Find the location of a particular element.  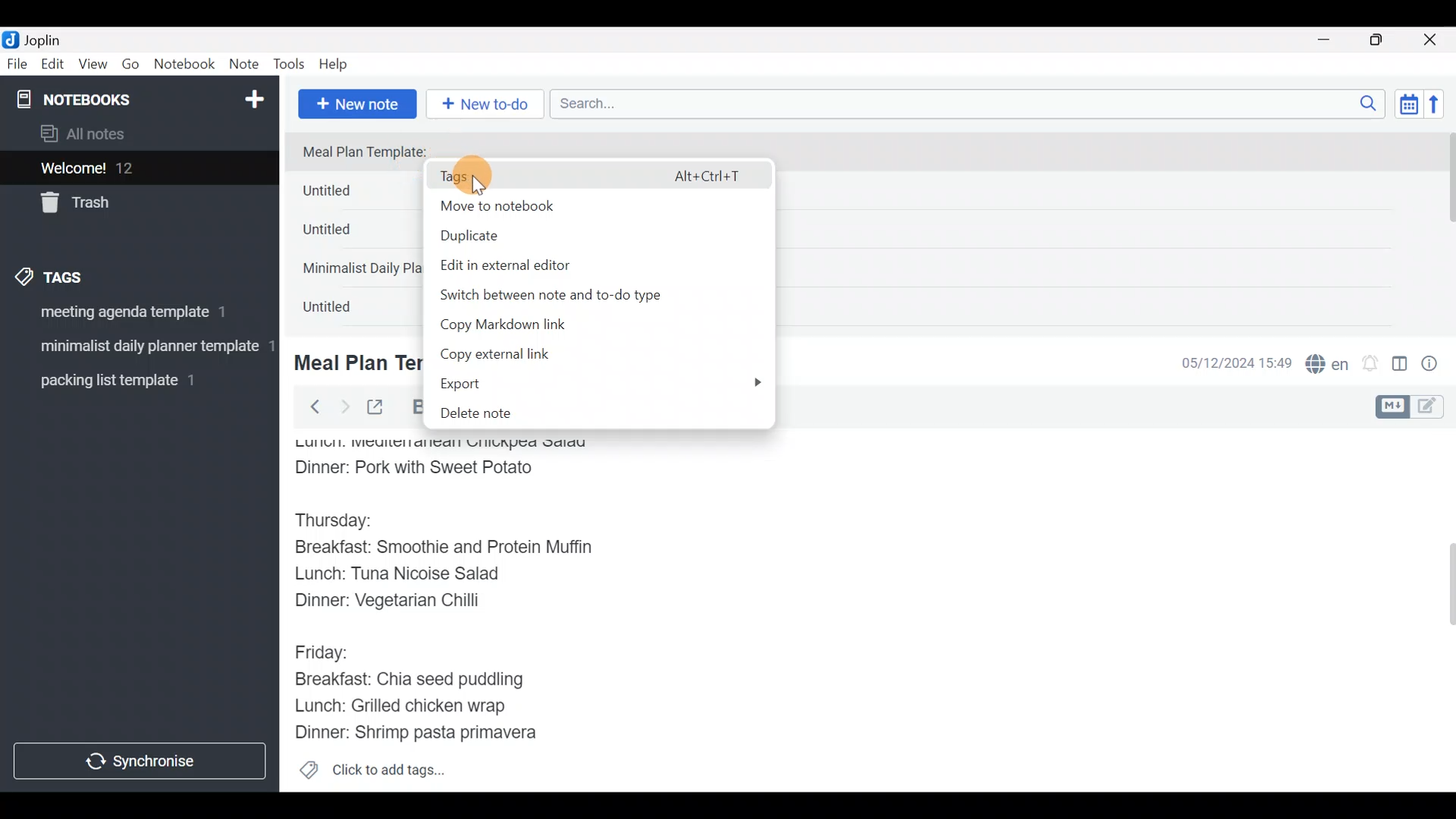

New to-do is located at coordinates (488, 105).